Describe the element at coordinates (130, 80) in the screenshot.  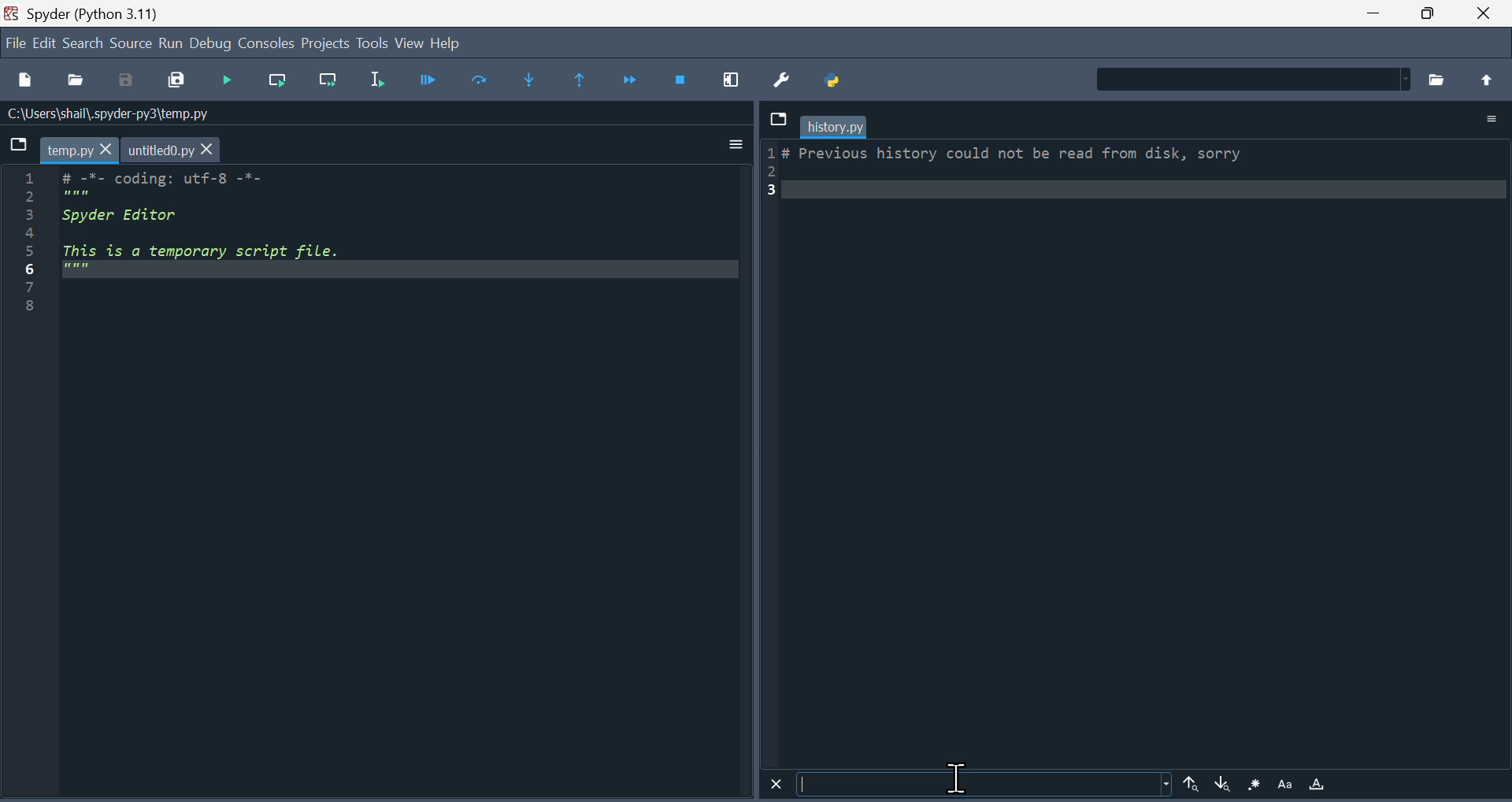
I see `Save as` at that location.